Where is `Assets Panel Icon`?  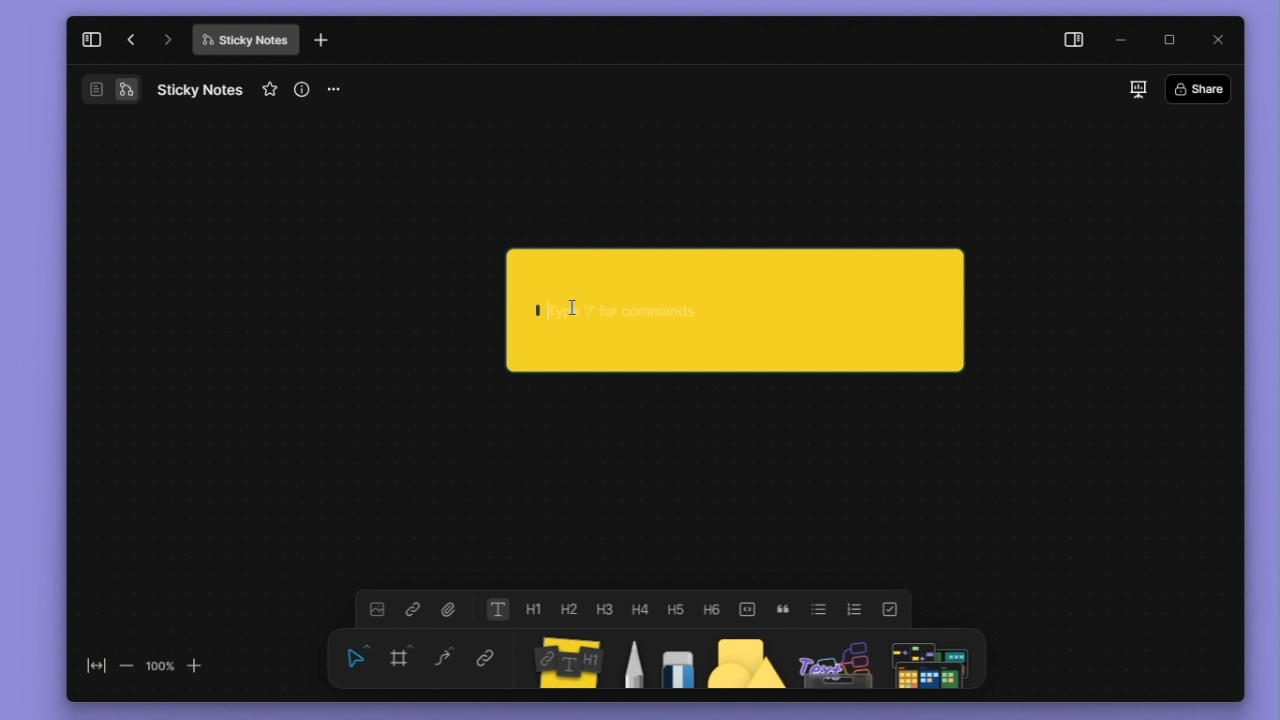 Assets Panel Icon is located at coordinates (833, 663).